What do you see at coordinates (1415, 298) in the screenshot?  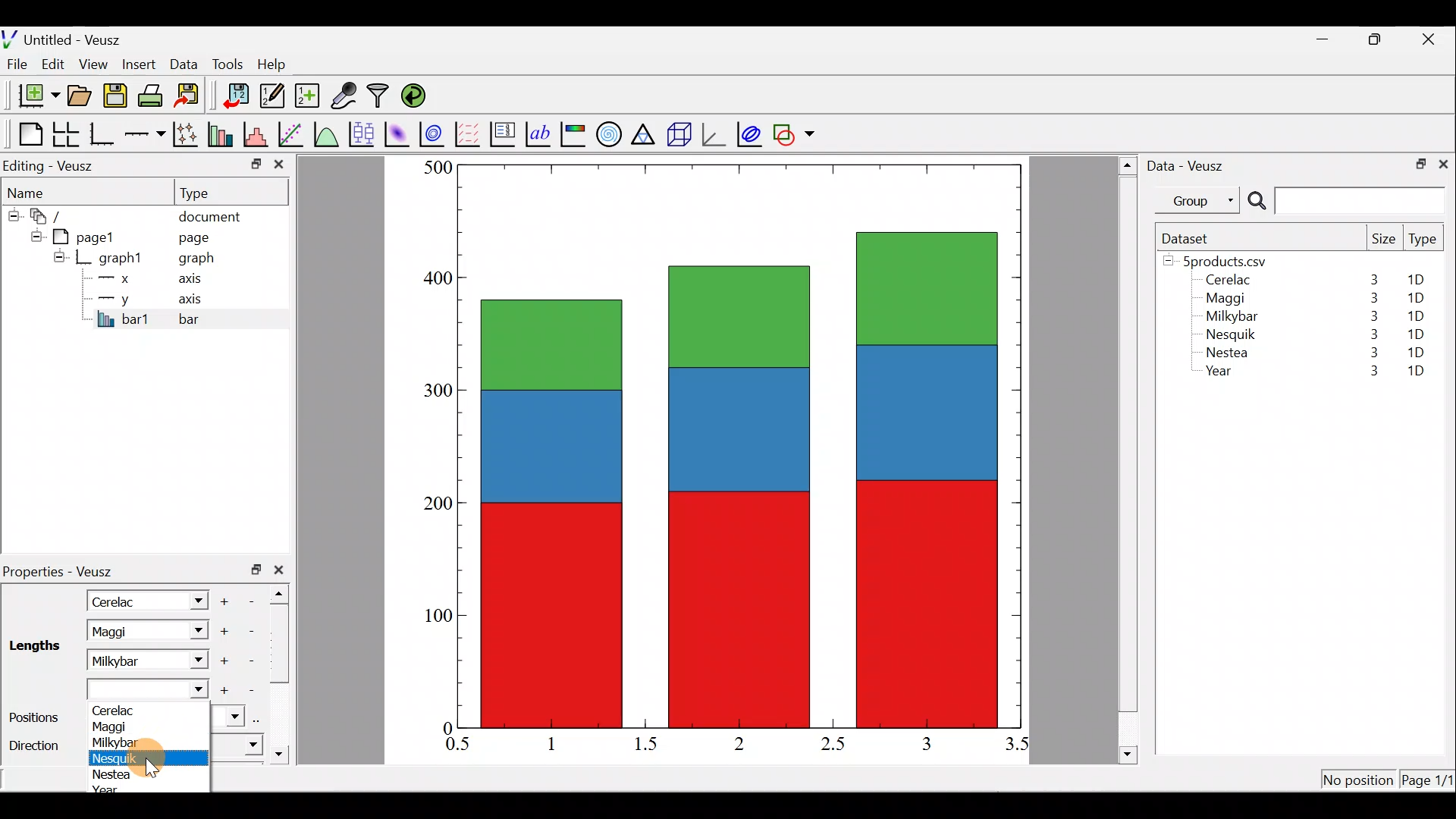 I see `1D` at bounding box center [1415, 298].